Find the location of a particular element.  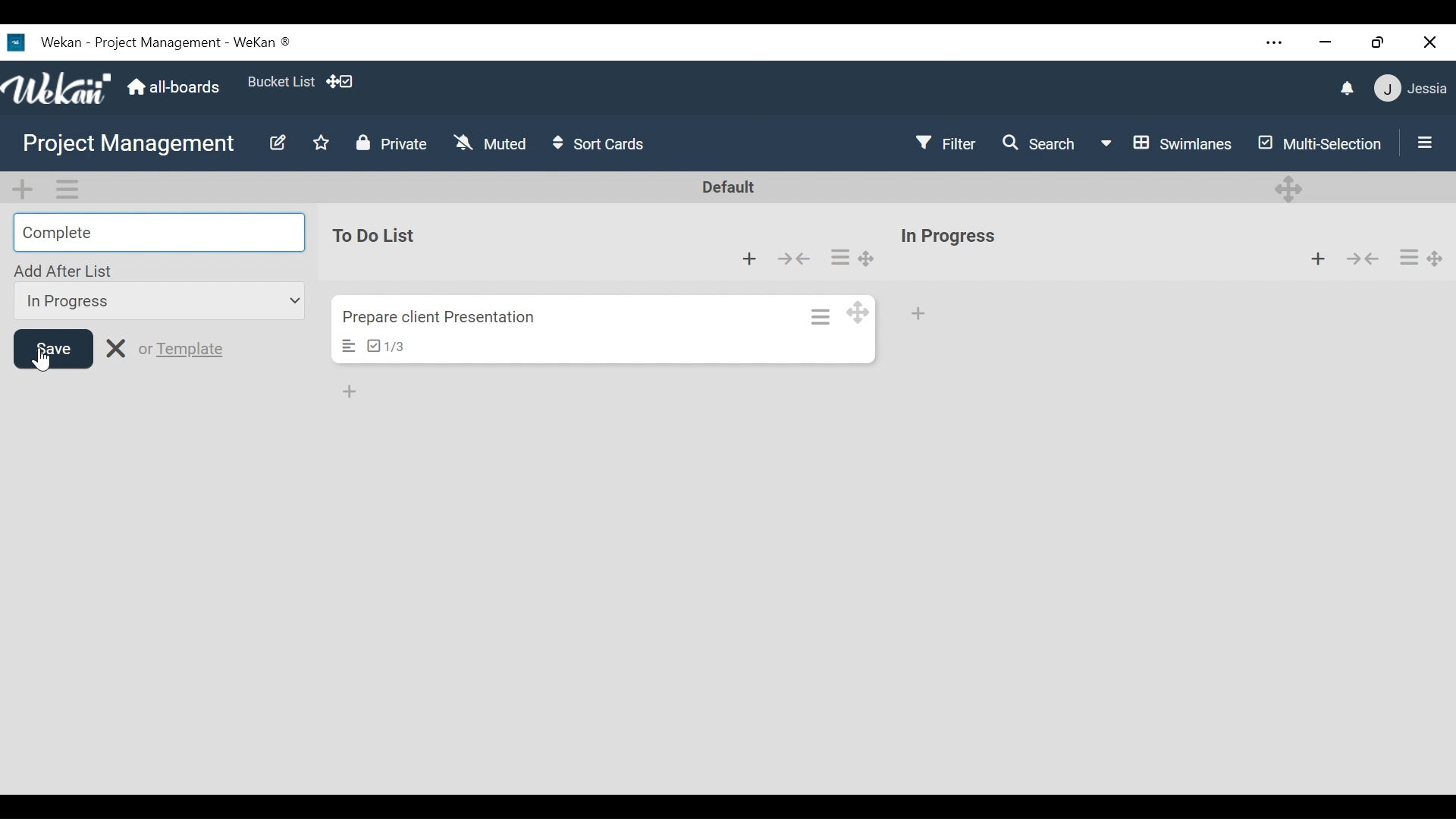

Cursor is located at coordinates (39, 356).